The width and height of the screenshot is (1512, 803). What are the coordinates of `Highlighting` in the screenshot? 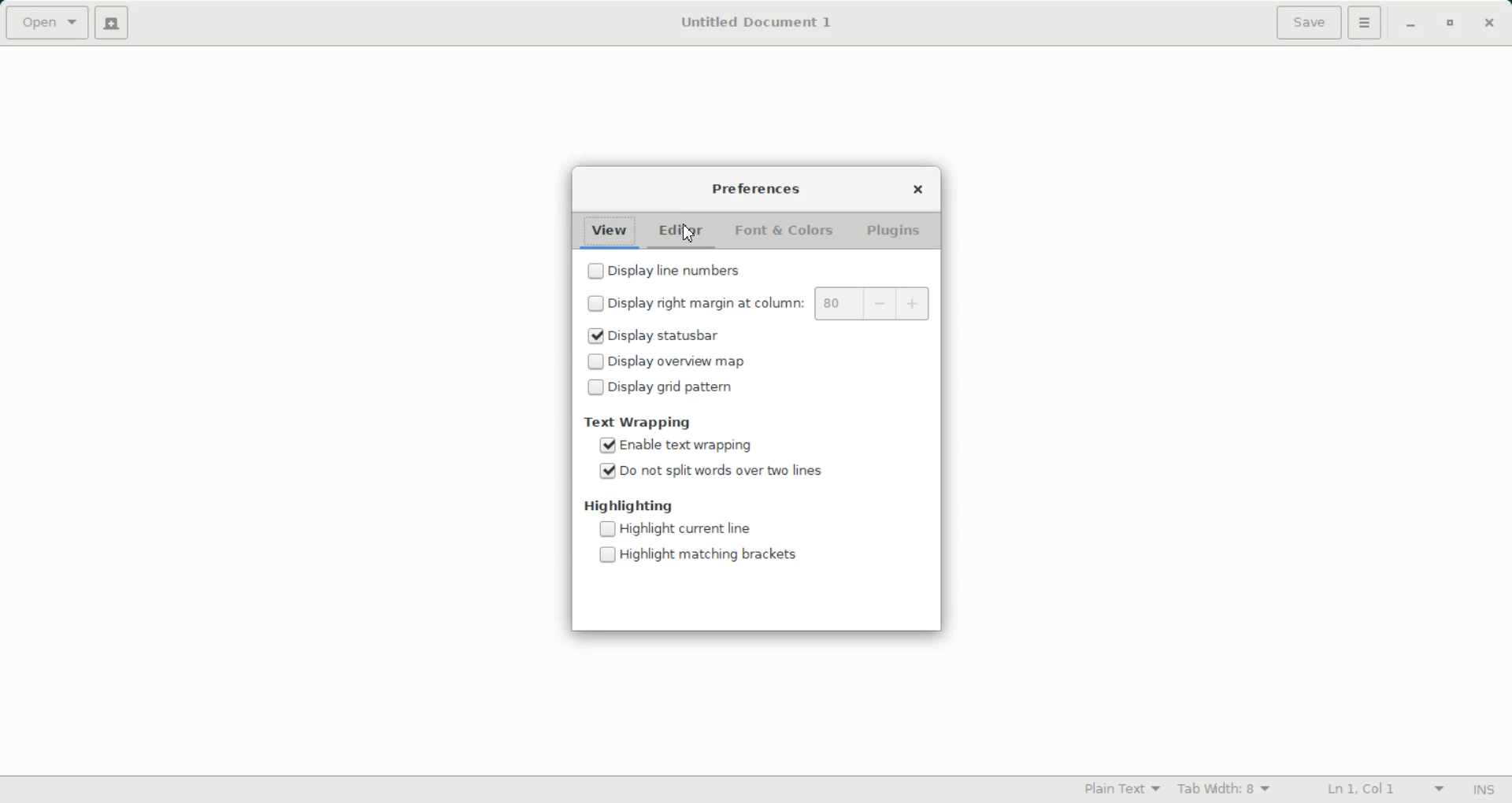 It's located at (633, 506).